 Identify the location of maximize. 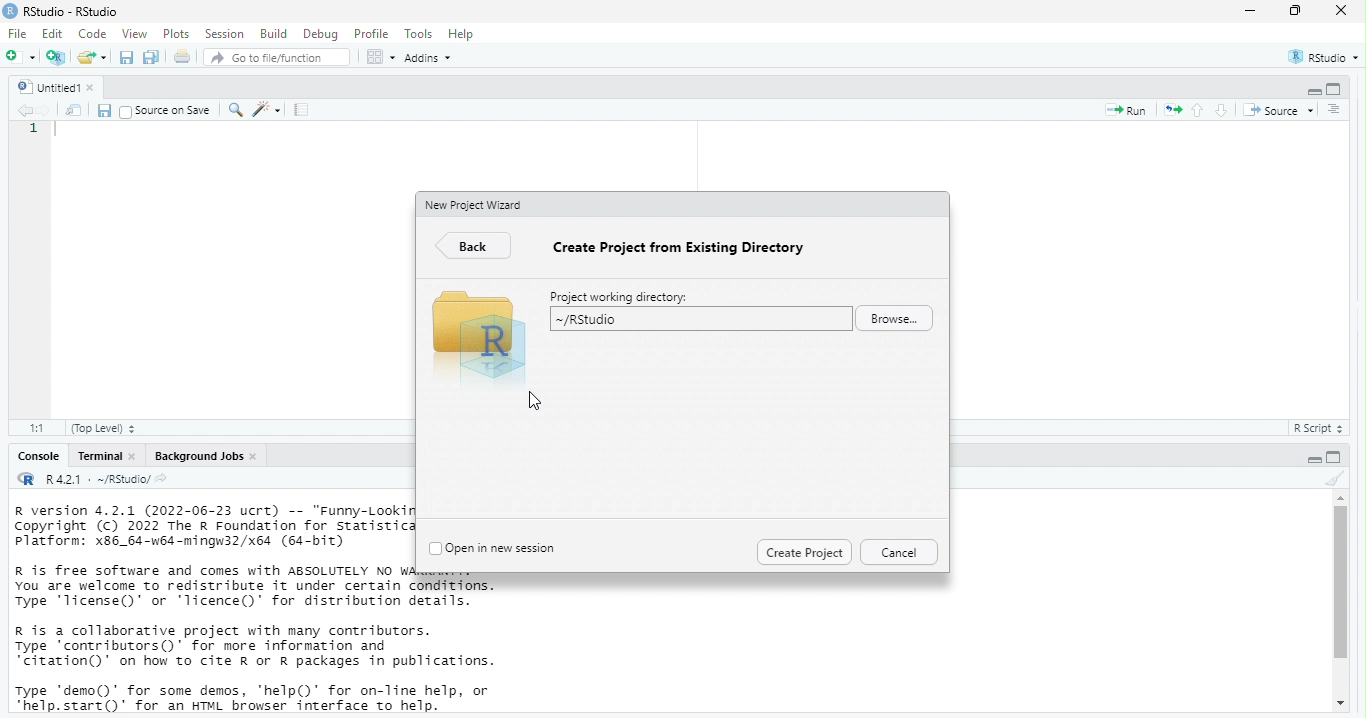
(1346, 455).